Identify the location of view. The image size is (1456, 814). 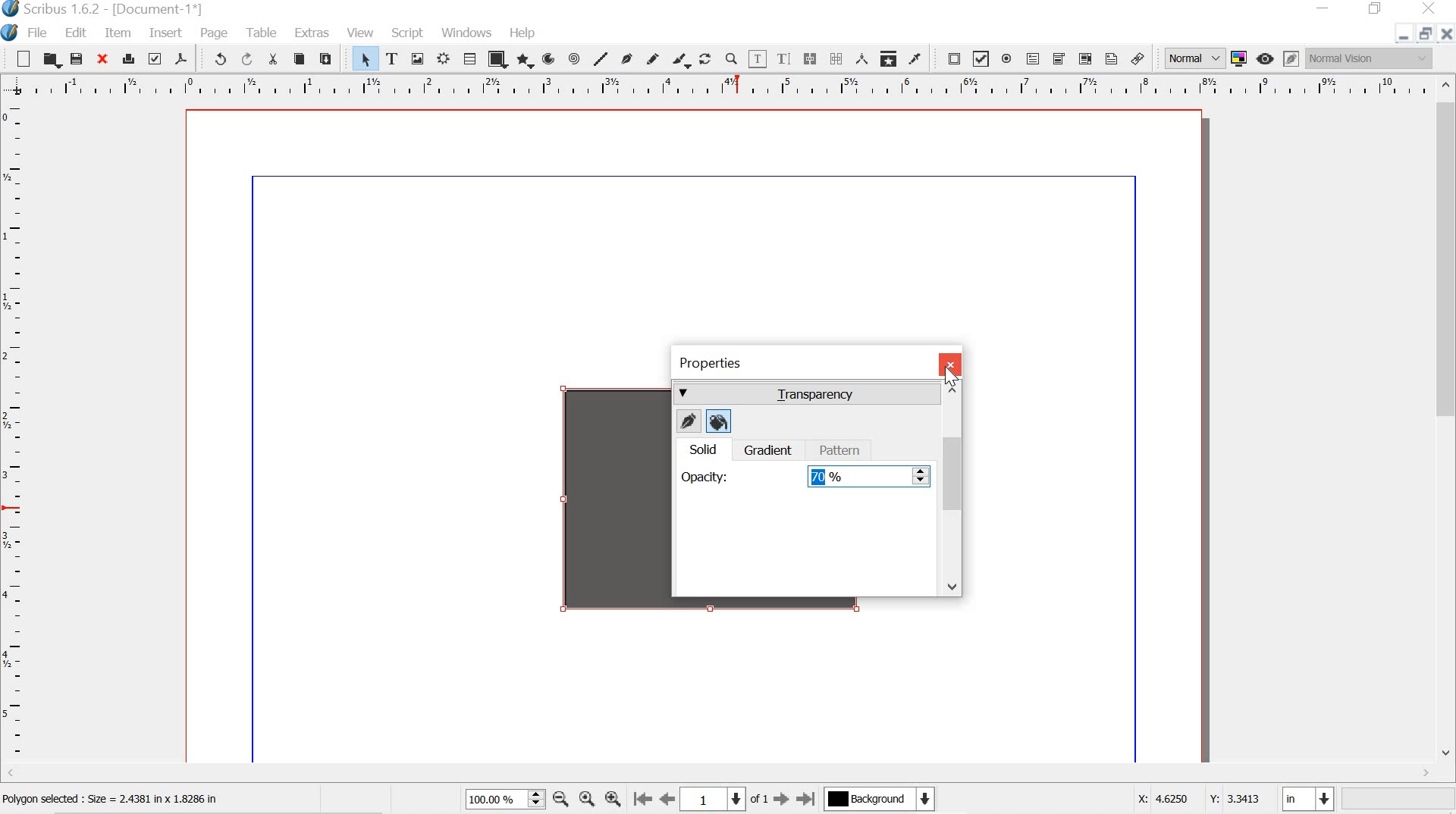
(361, 31).